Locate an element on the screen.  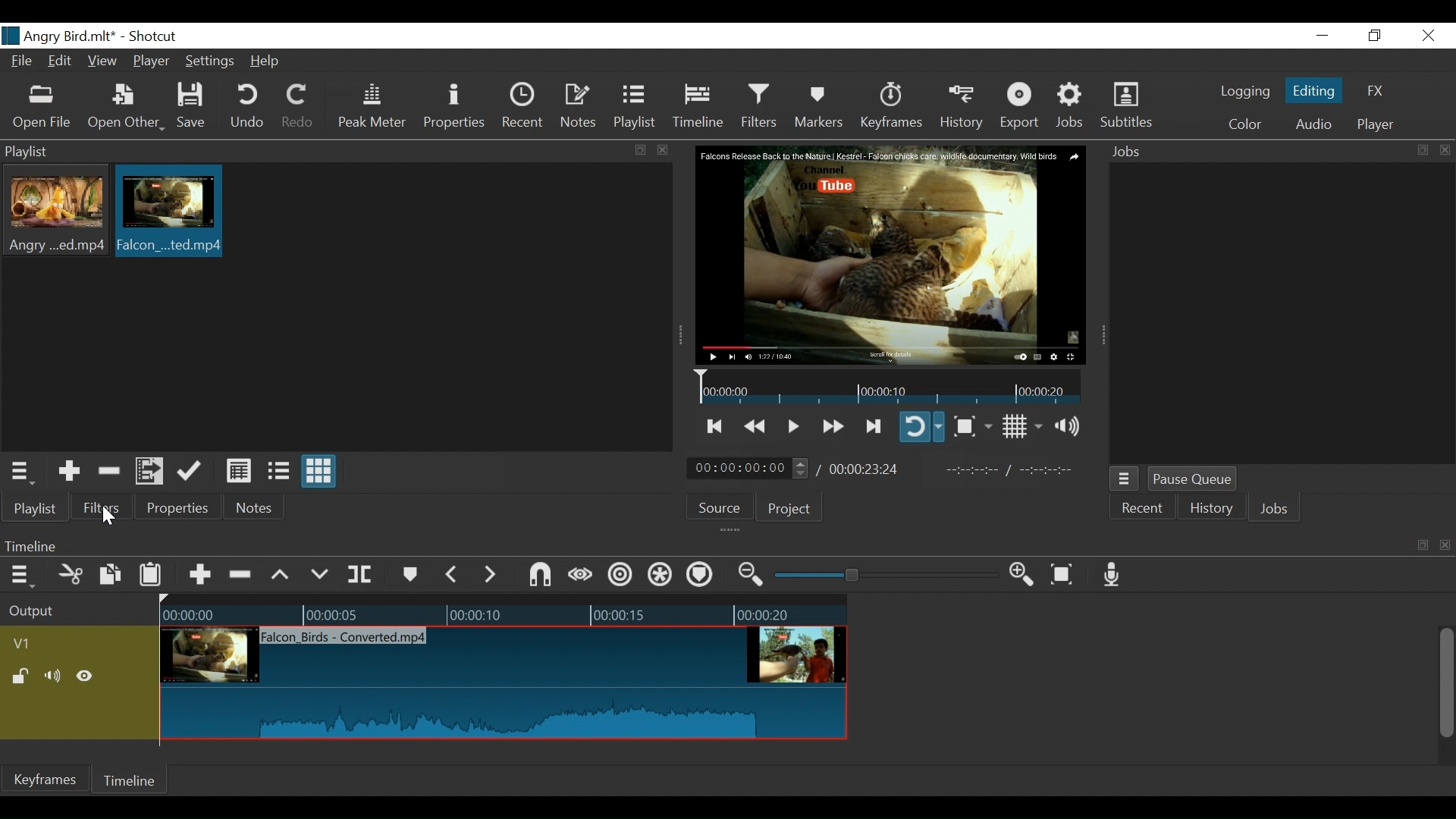
Remove cut is located at coordinates (242, 576).